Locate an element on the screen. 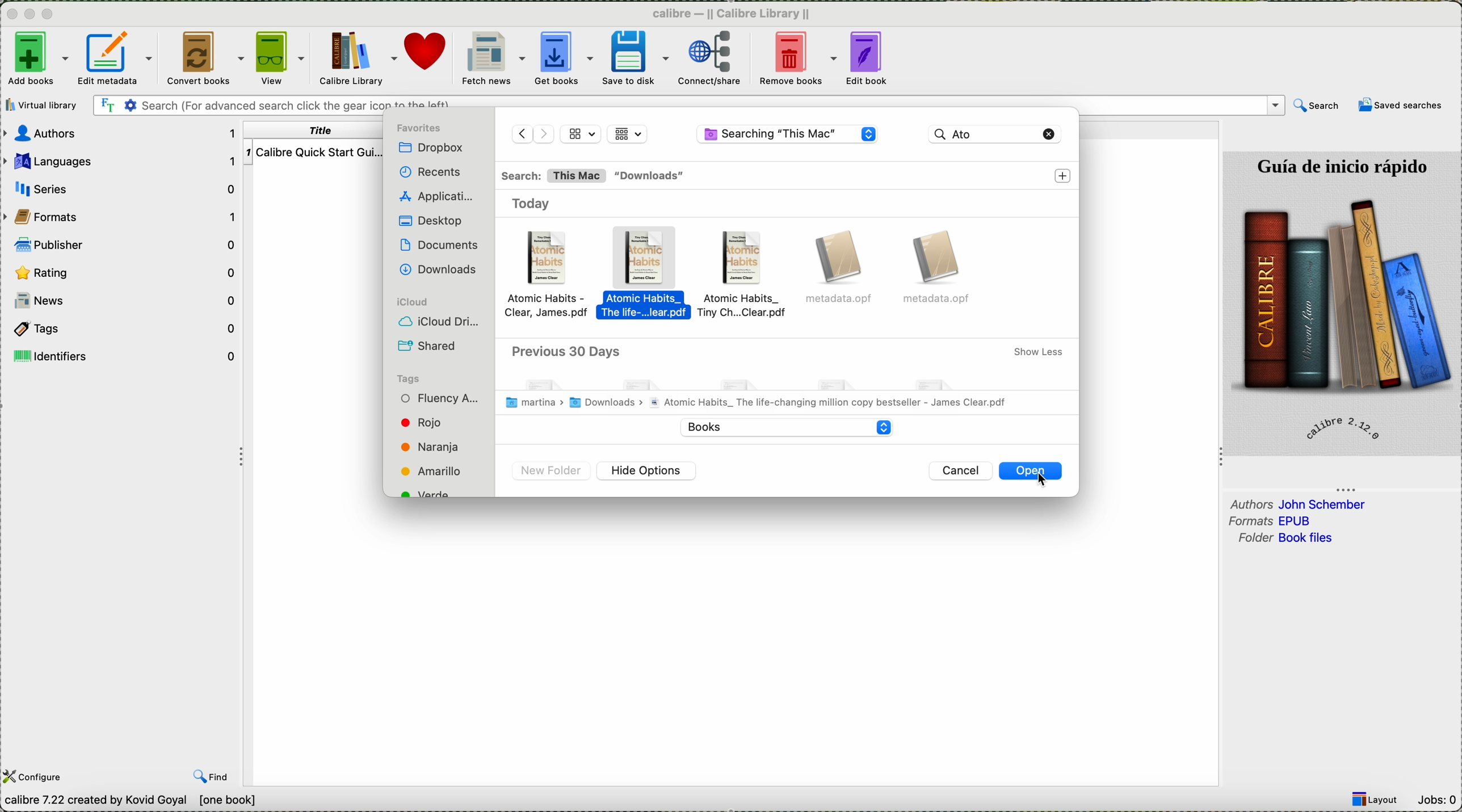 This screenshot has width=1462, height=812. minimize program is located at coordinates (32, 15).